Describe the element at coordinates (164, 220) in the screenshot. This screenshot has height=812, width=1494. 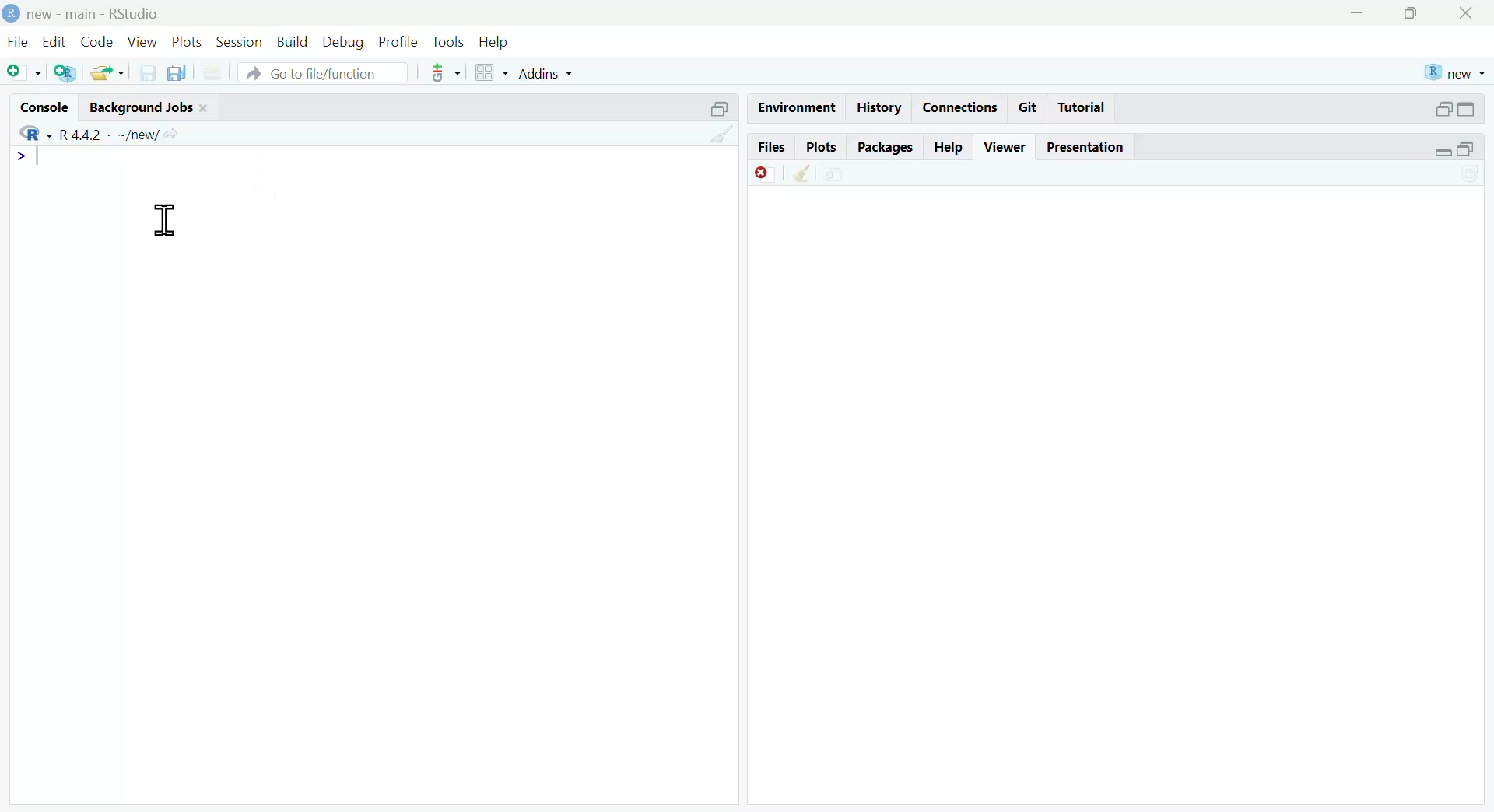
I see `text cursor` at that location.